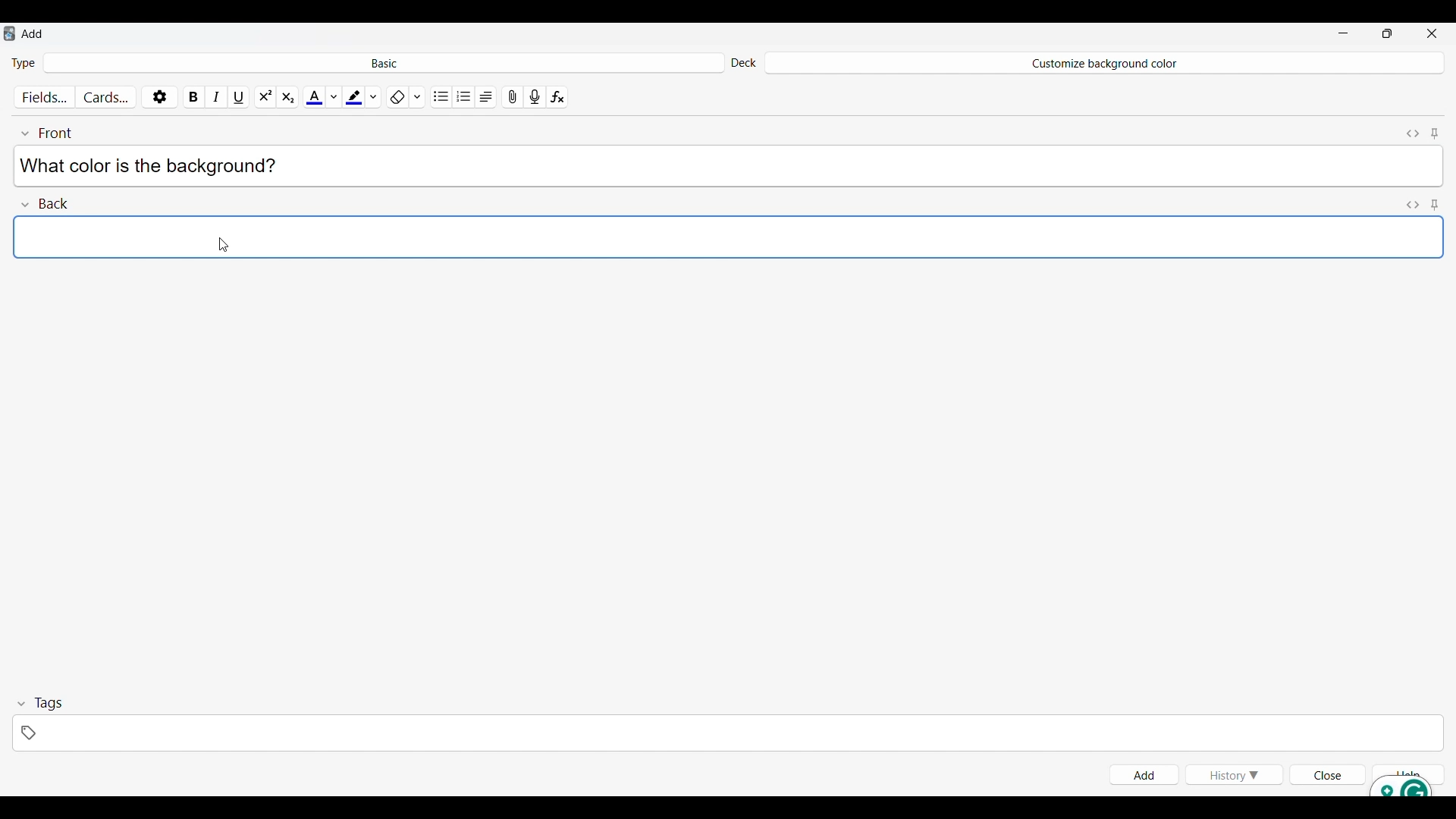 Image resolution: width=1456 pixels, height=819 pixels. What do you see at coordinates (1432, 33) in the screenshot?
I see `Close interface` at bounding box center [1432, 33].